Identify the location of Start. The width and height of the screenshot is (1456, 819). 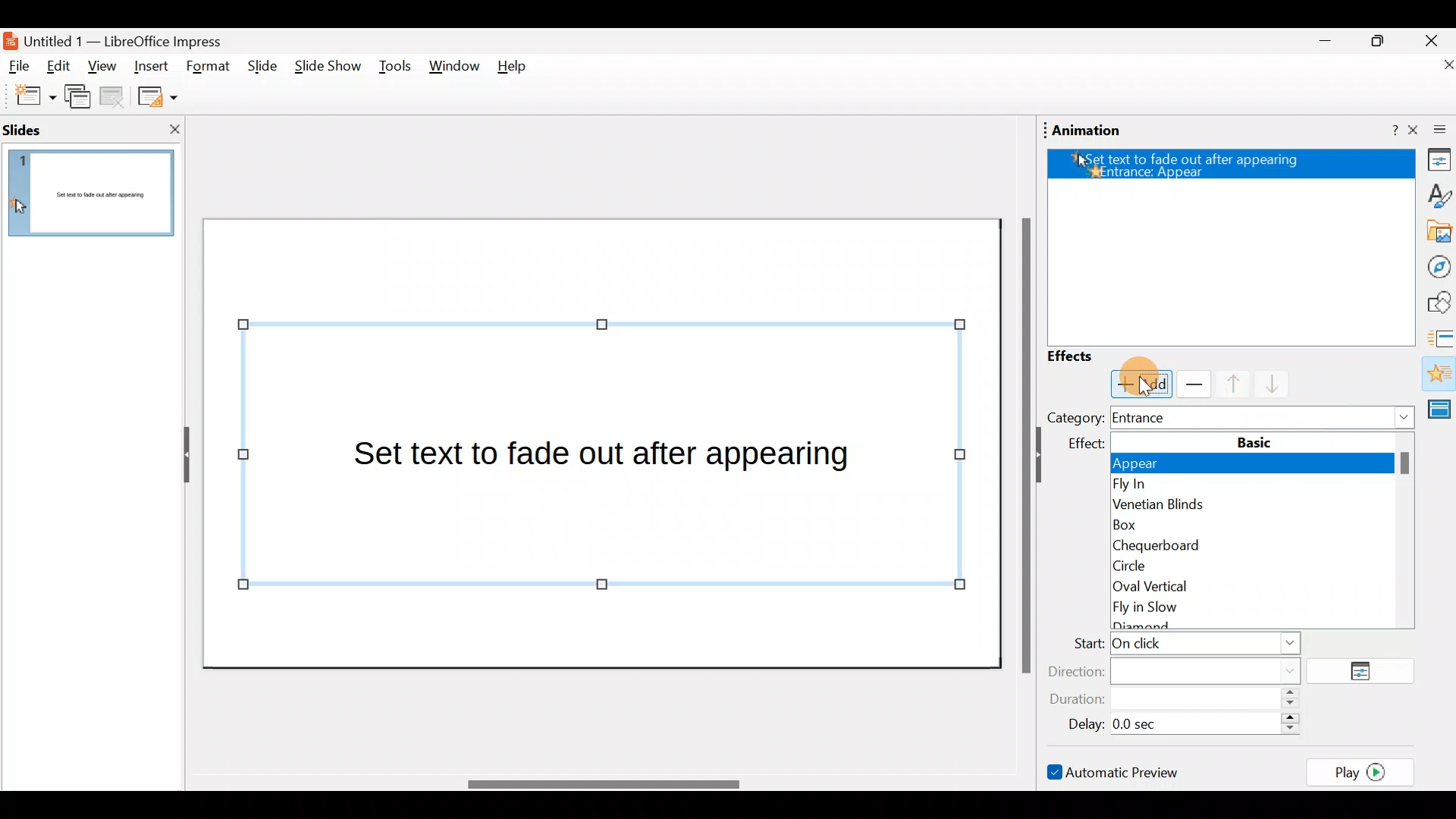
(1182, 645).